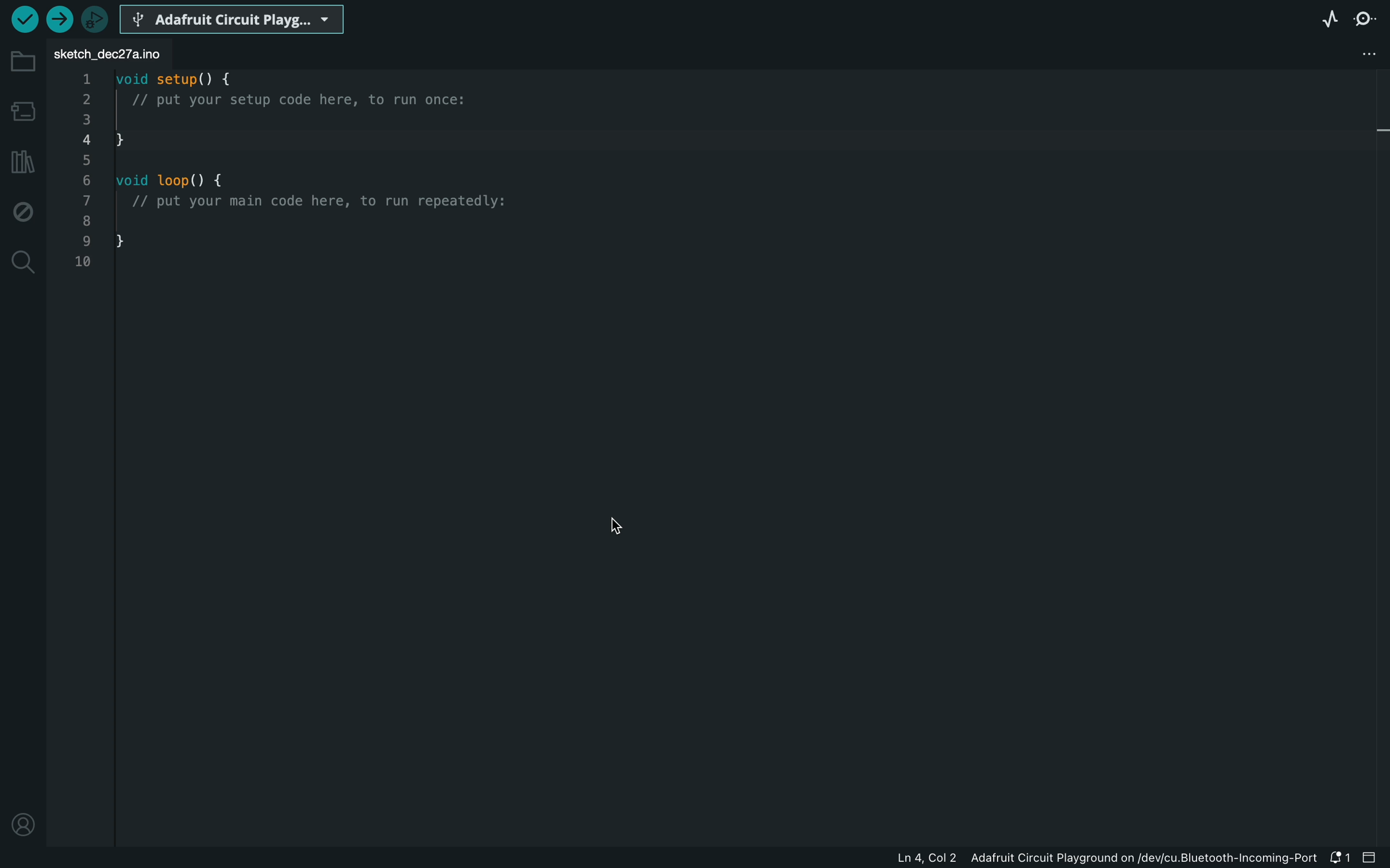 This screenshot has height=868, width=1390. Describe the element at coordinates (1330, 18) in the screenshot. I see `serial plotter` at that location.